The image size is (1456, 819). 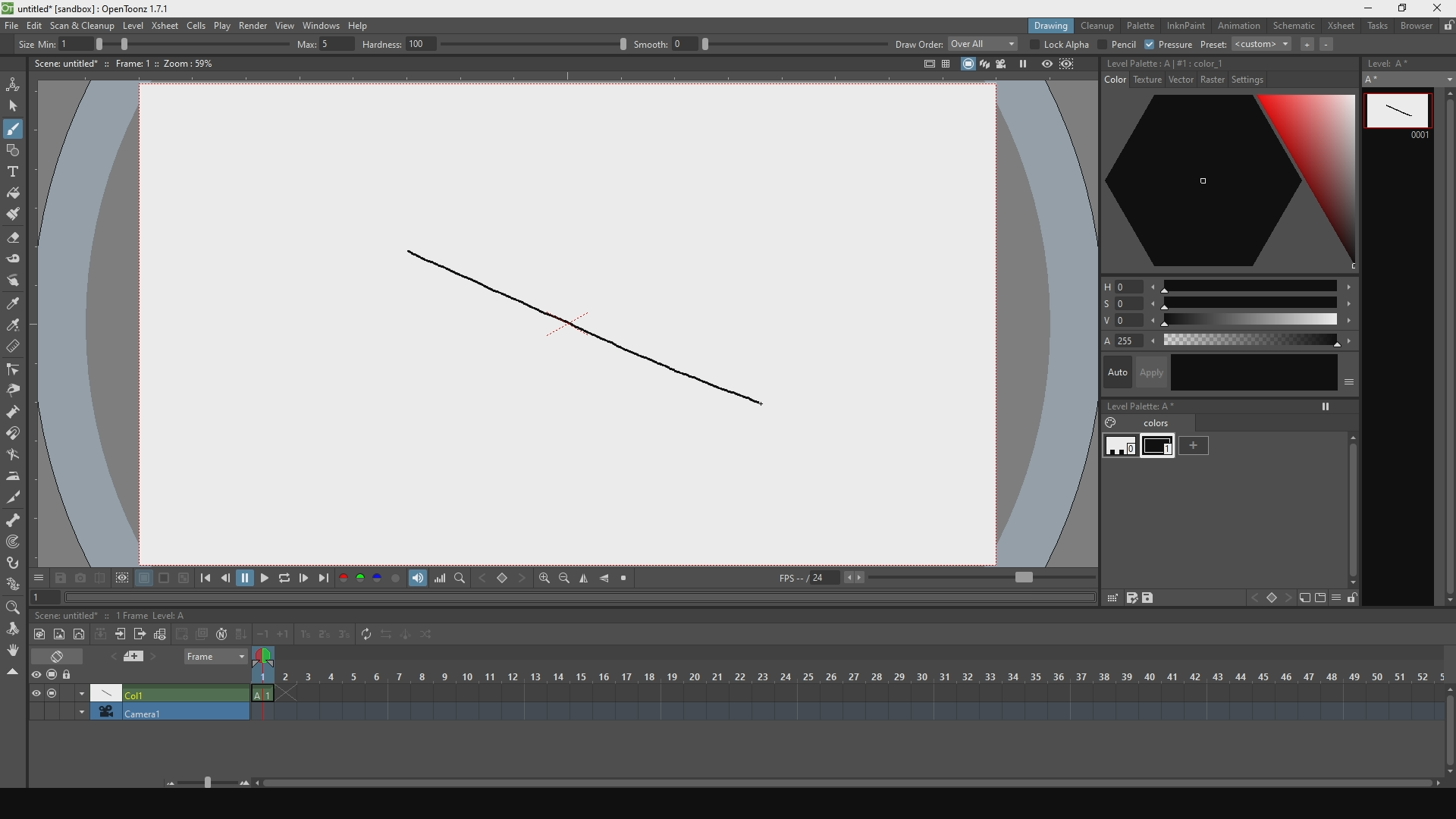 I want to click on scene frame, so click(x=845, y=676).